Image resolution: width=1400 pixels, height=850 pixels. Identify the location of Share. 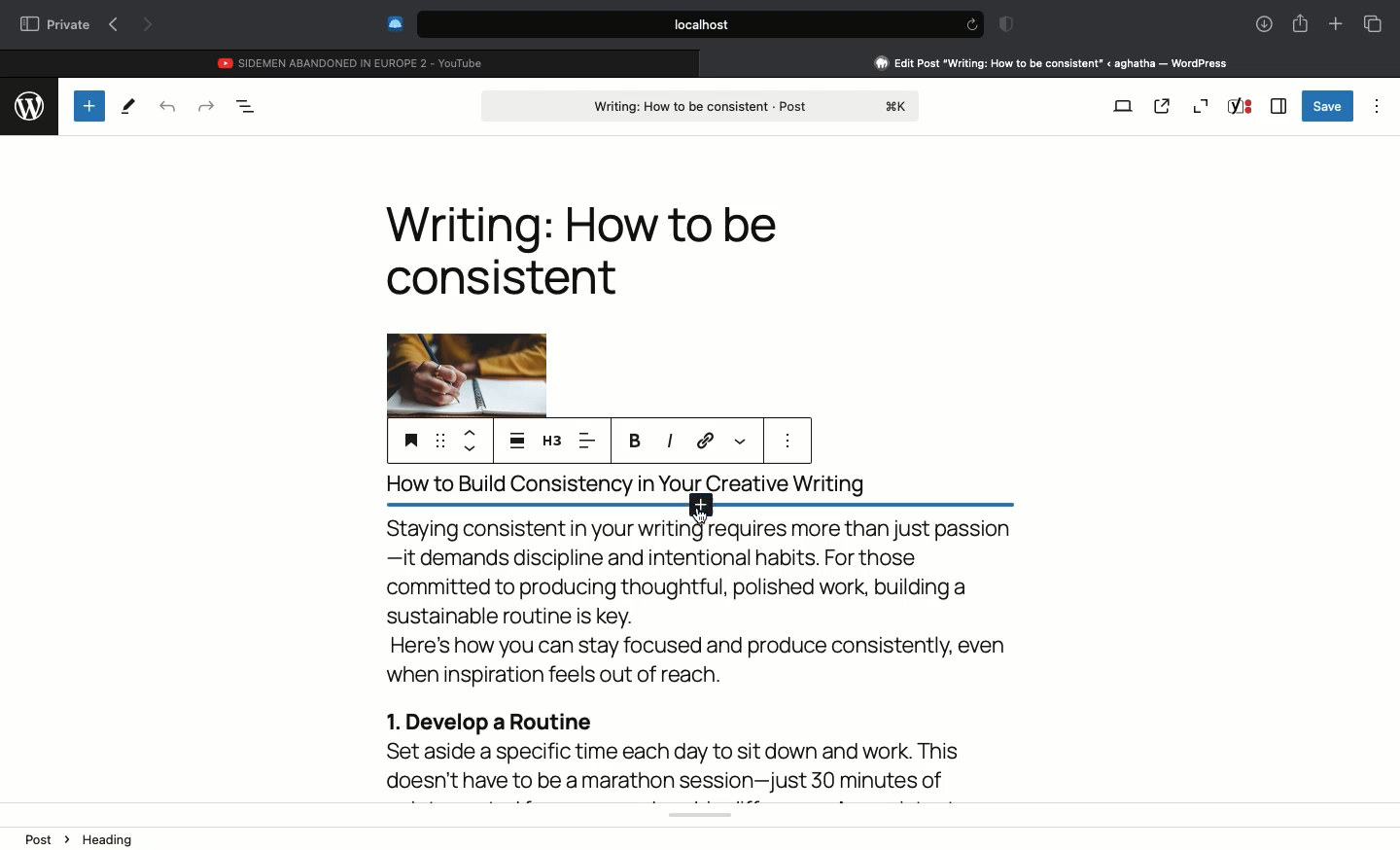
(1300, 21).